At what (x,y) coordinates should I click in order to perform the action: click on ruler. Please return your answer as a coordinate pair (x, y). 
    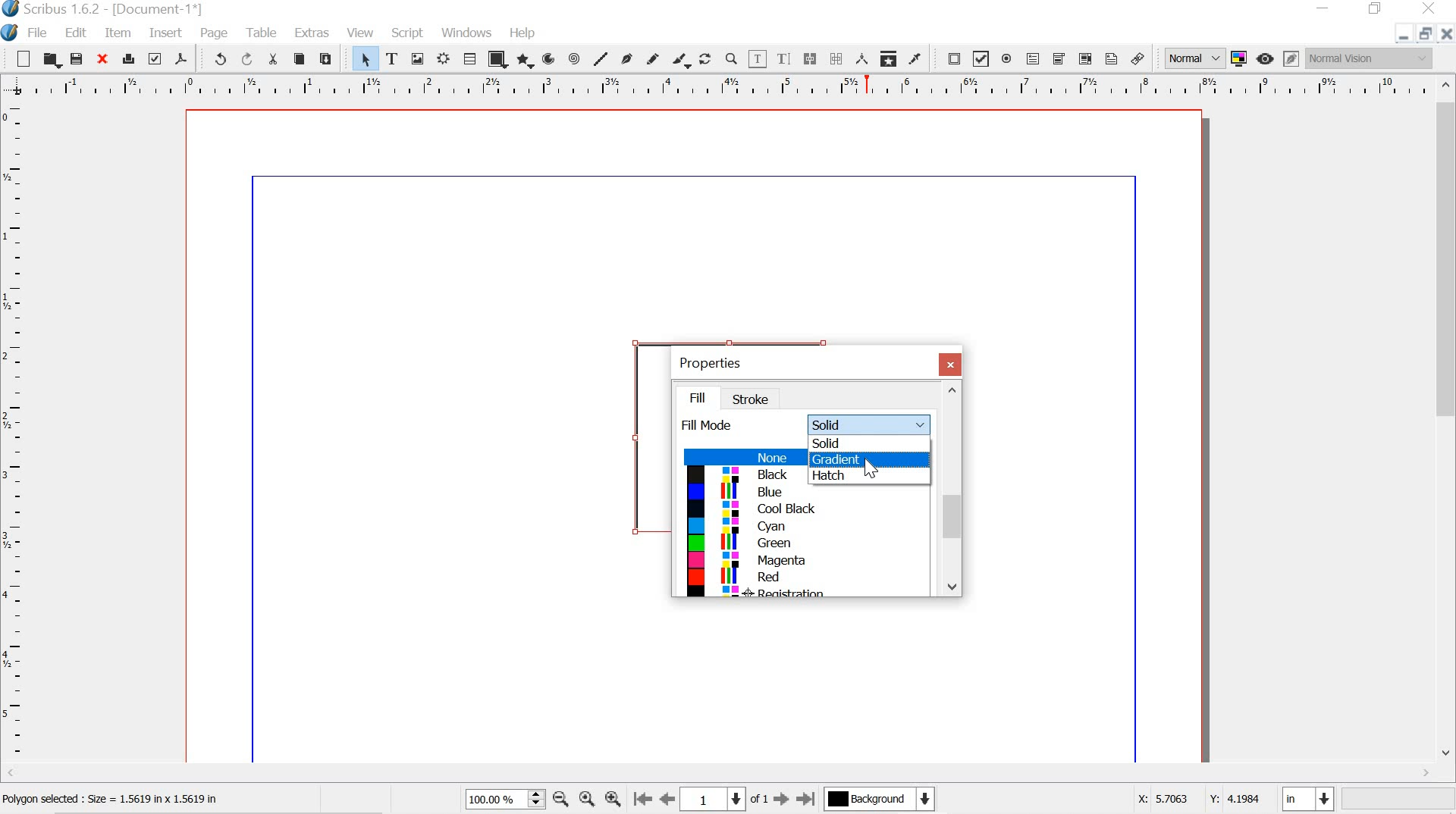
    Looking at the image, I should click on (14, 433).